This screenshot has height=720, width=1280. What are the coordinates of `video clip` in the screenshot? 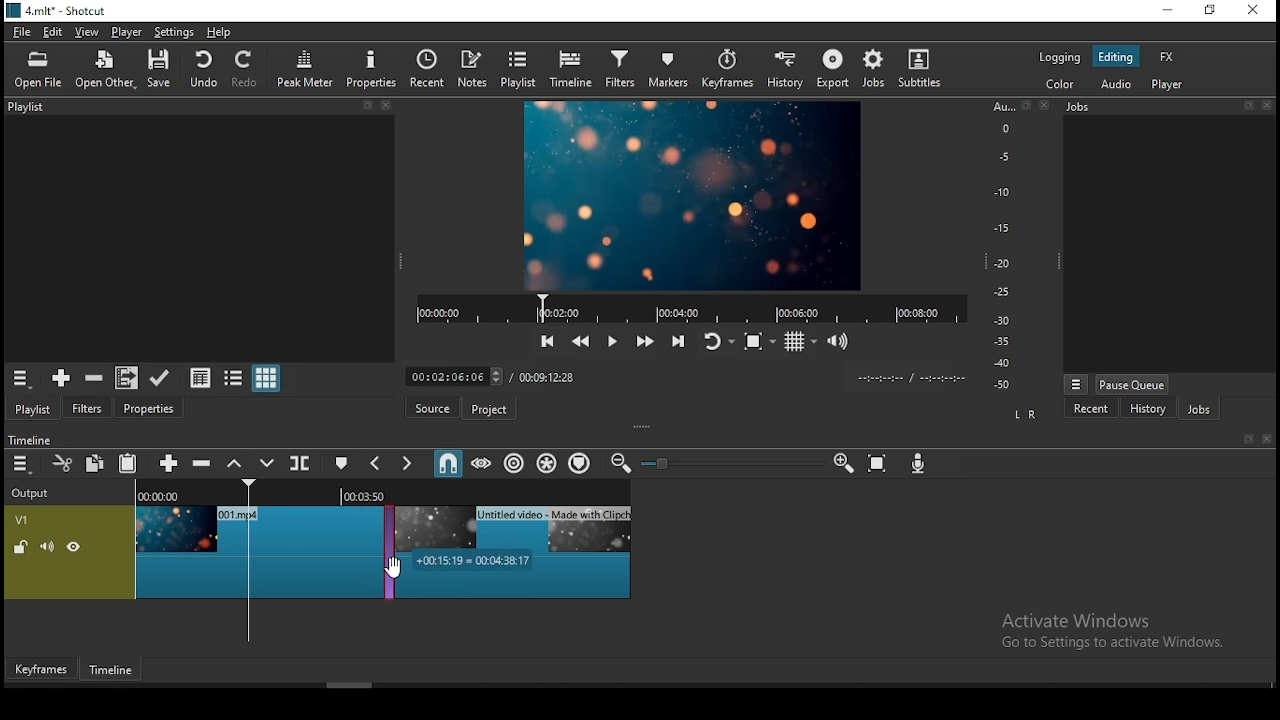 It's located at (515, 550).